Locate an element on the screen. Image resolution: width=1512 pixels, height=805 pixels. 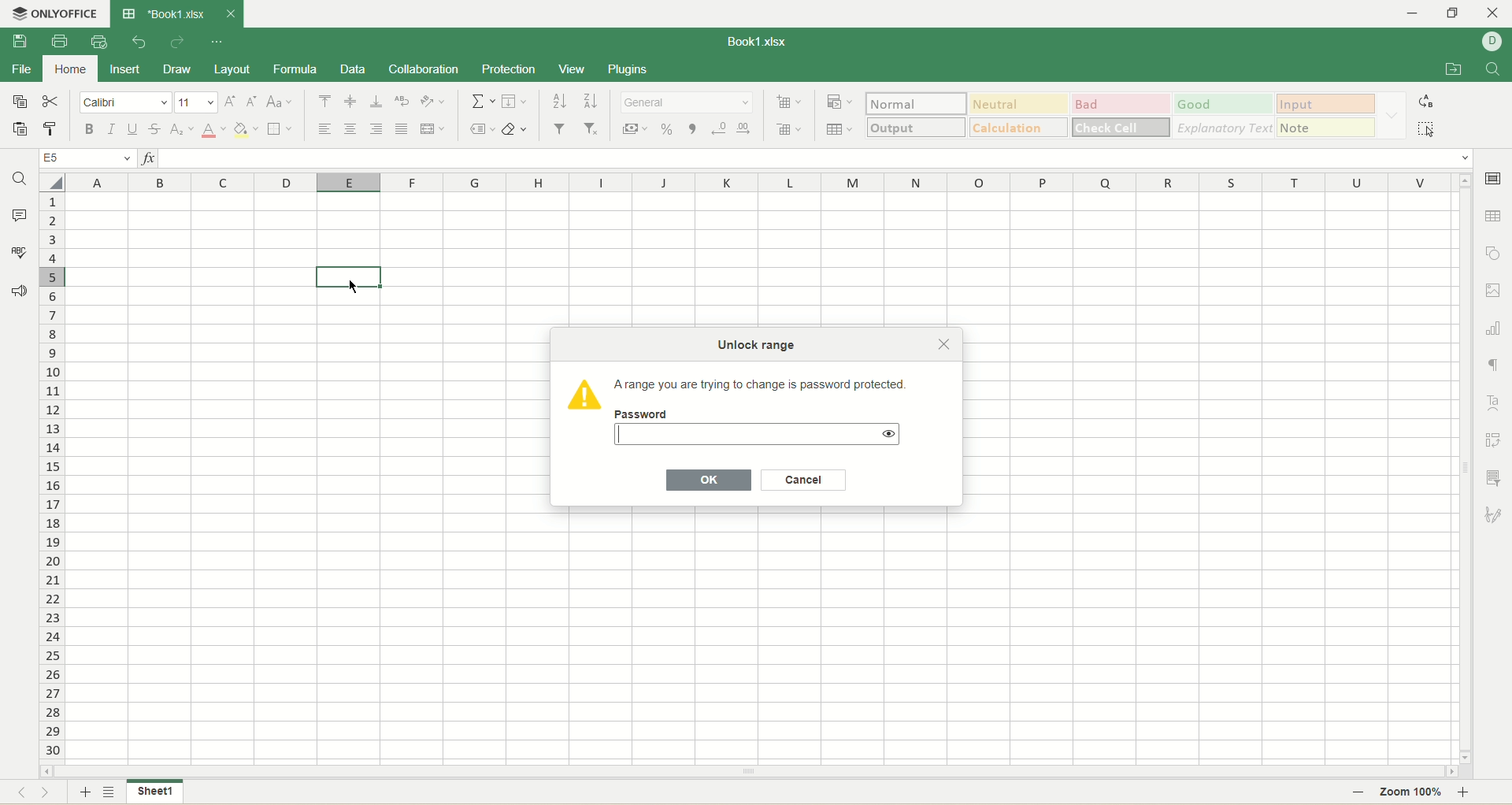
Close is located at coordinates (939, 345).